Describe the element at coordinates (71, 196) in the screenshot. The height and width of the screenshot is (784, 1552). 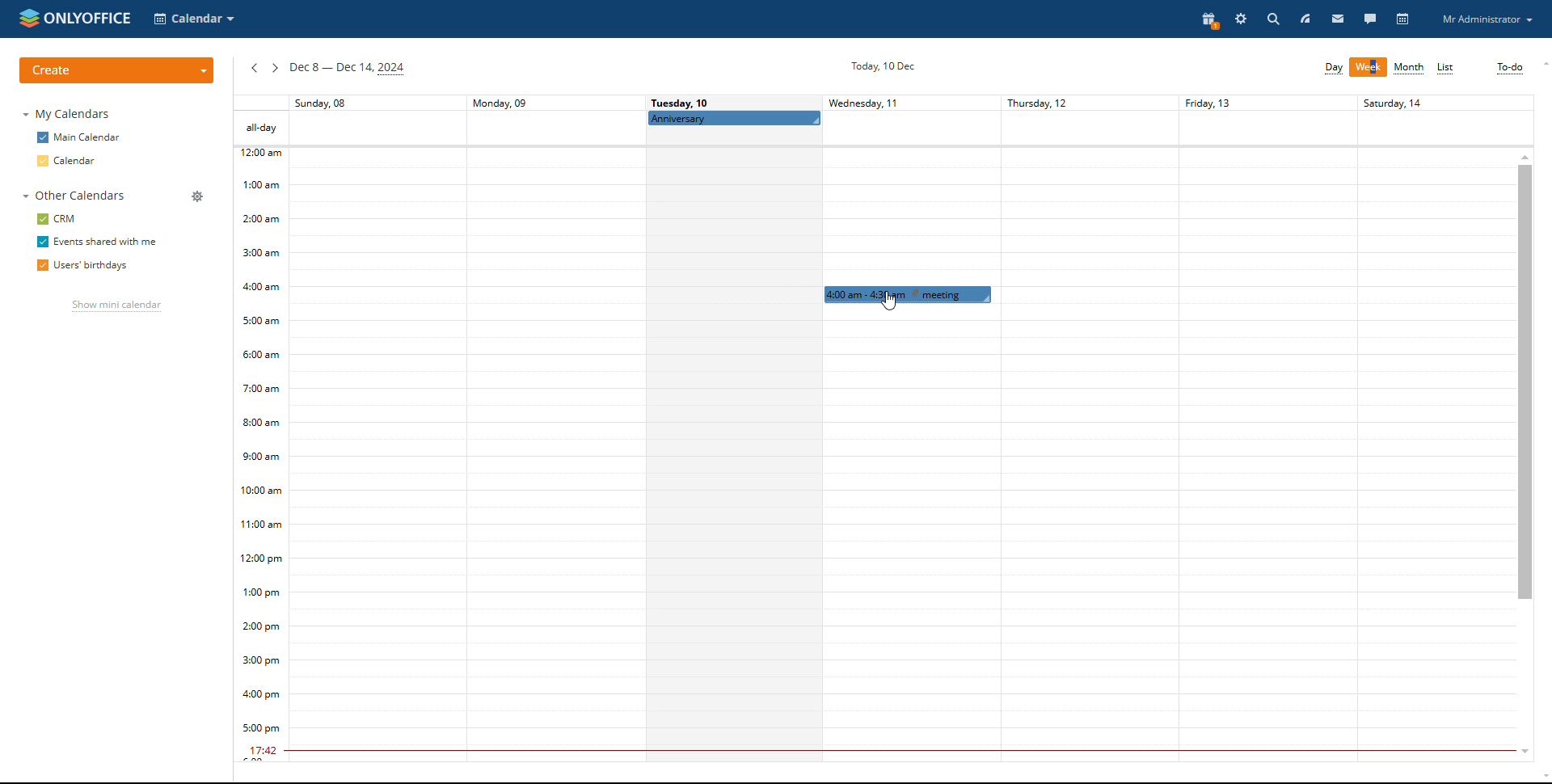
I see `other calendars` at that location.